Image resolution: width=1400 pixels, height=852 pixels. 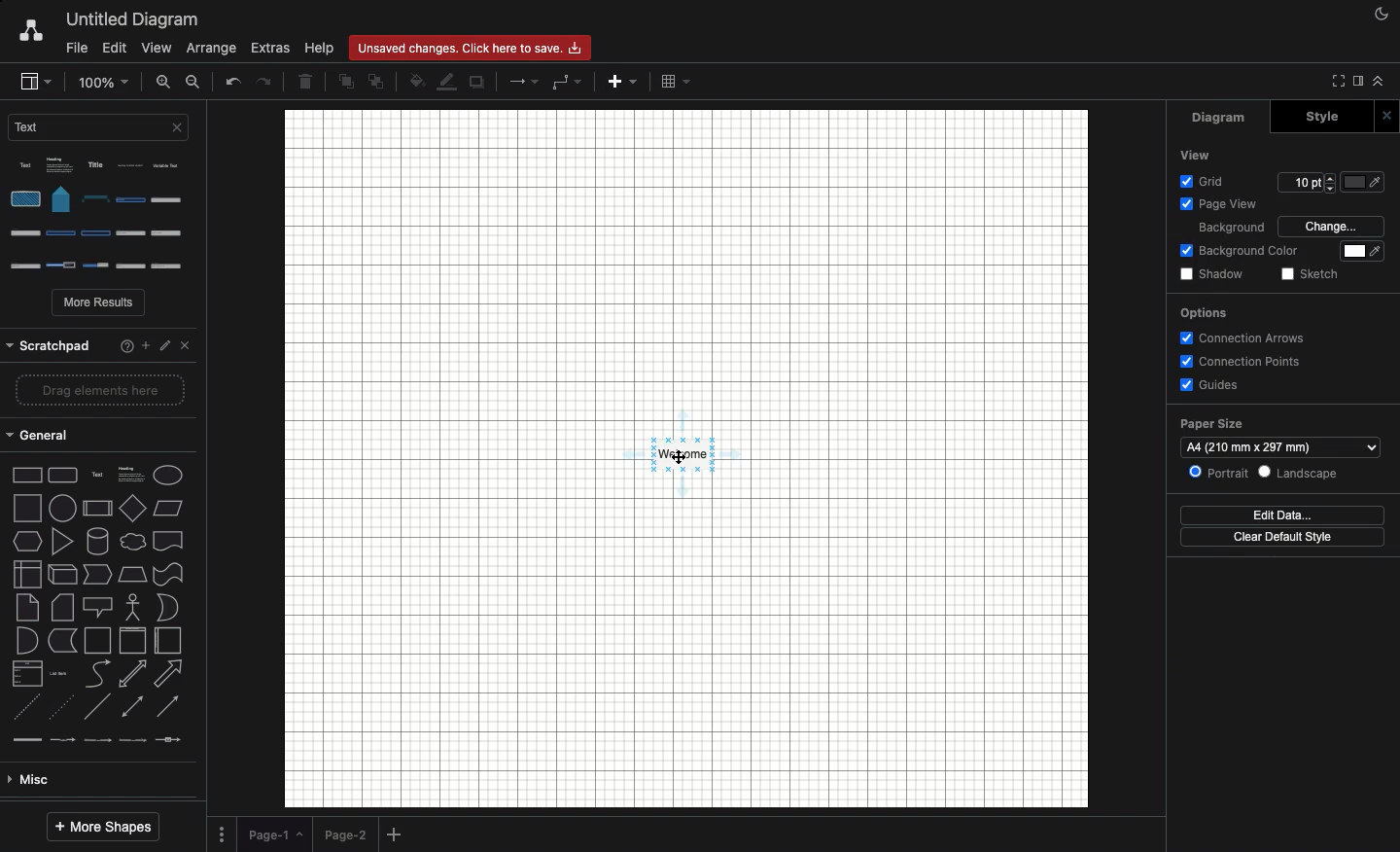 I want to click on Fill color, so click(x=414, y=83).